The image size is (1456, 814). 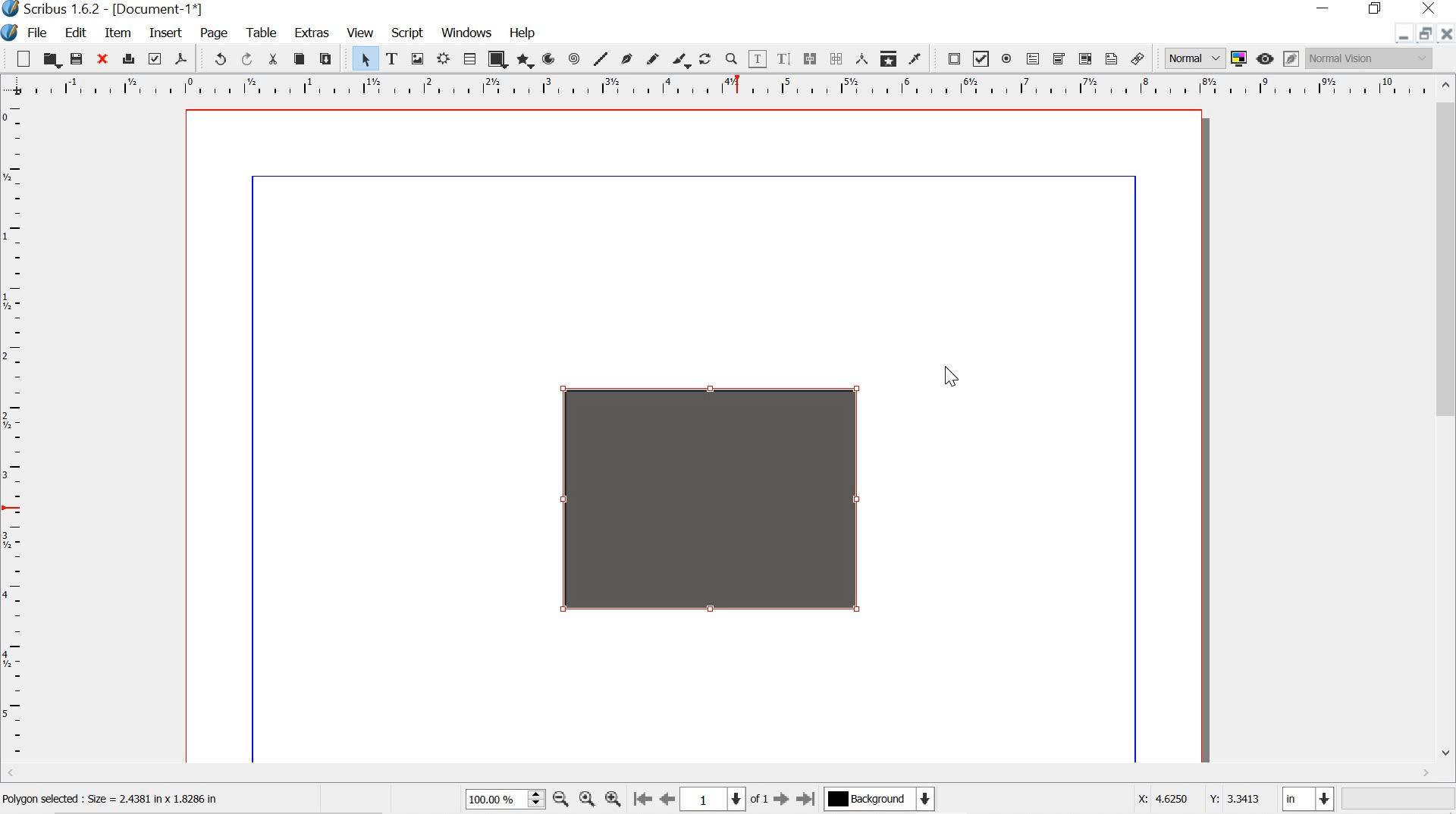 I want to click on preview mode, so click(x=1263, y=58).